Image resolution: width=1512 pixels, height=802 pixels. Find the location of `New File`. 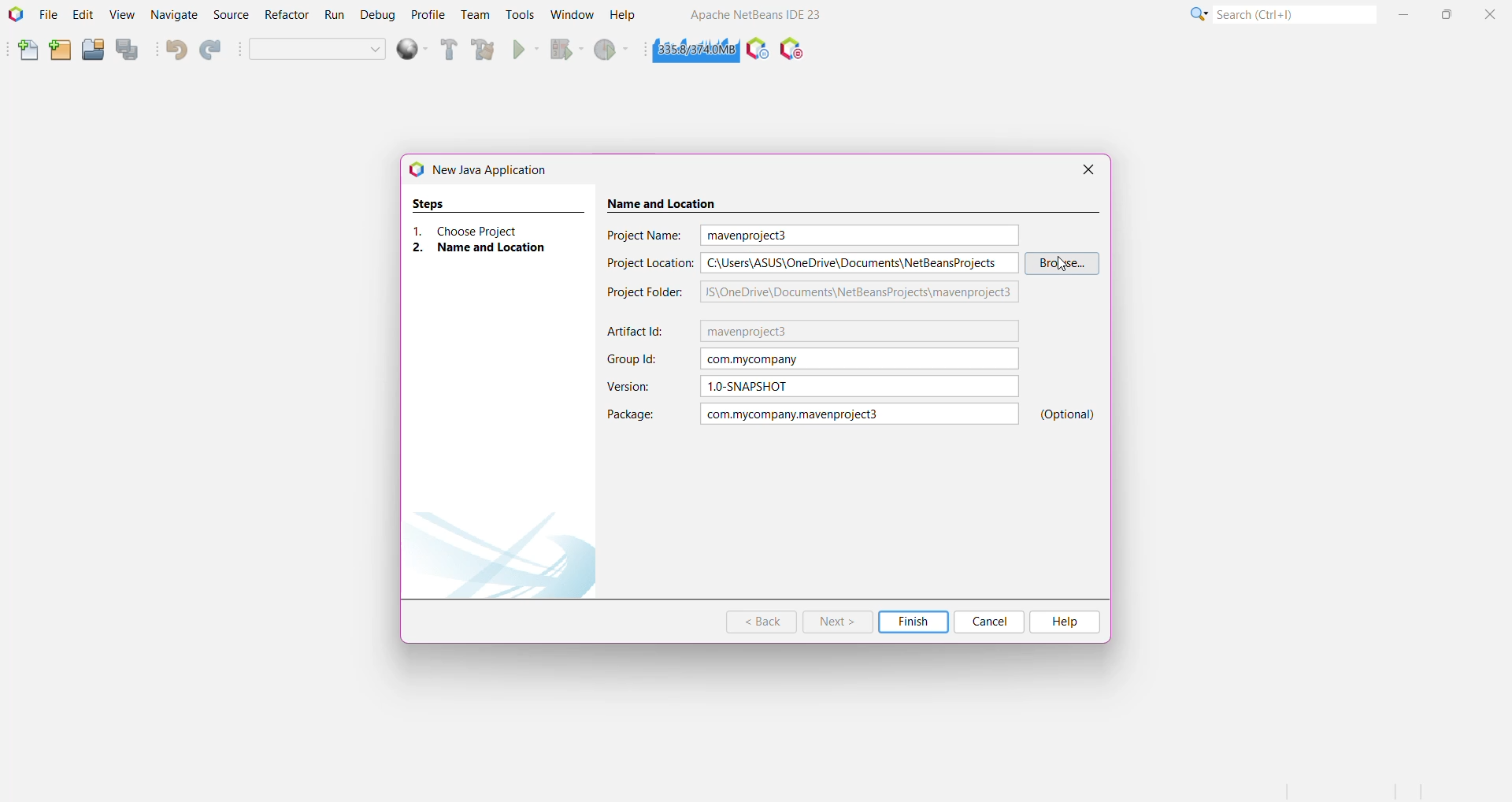

New File is located at coordinates (25, 50).